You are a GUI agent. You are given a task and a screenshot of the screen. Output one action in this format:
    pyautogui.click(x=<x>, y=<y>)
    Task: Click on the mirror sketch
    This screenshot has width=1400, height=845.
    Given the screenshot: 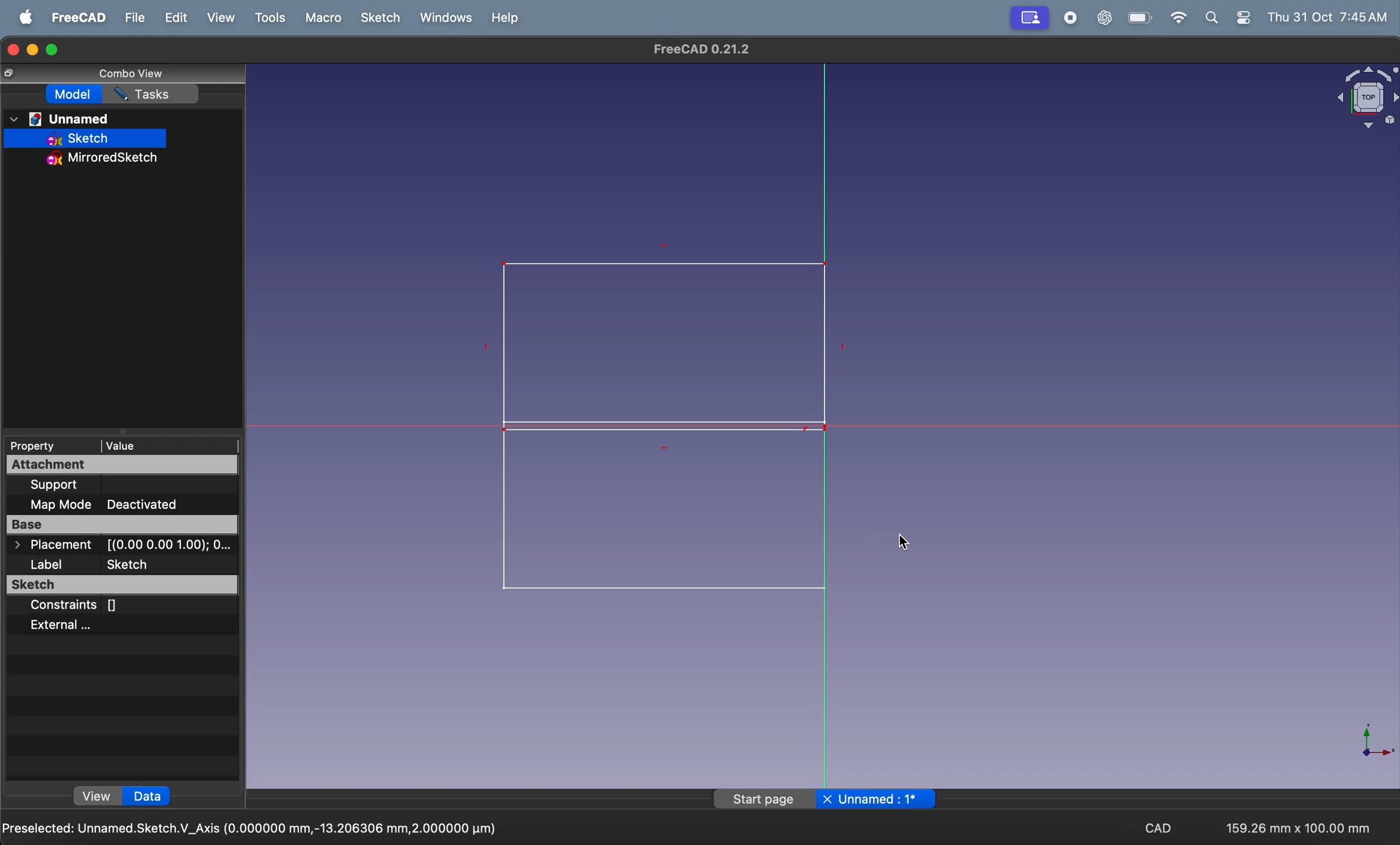 What is the action you would take?
    pyautogui.click(x=97, y=161)
    